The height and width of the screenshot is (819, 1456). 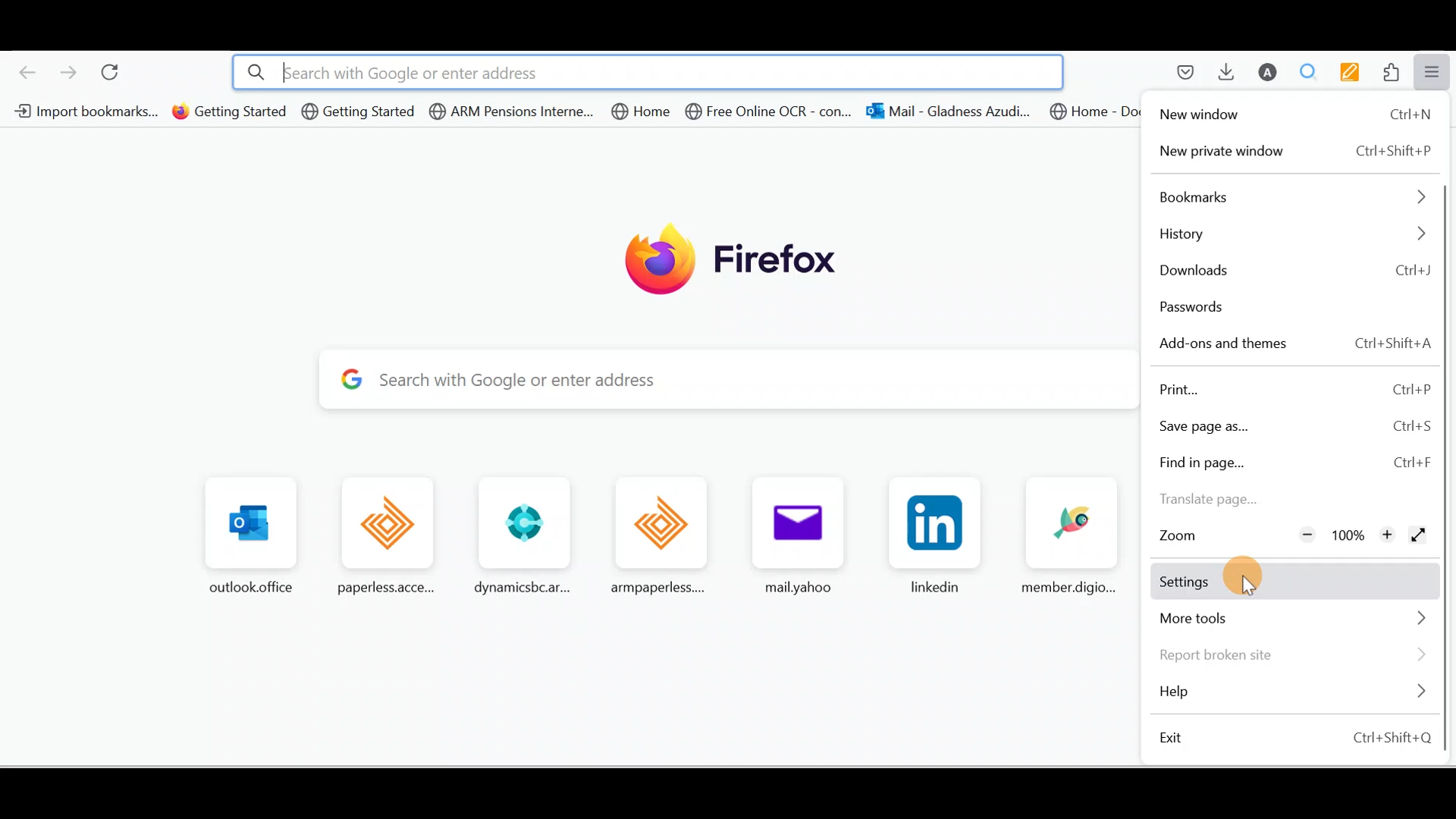 What do you see at coordinates (1293, 736) in the screenshot?
I see `Exit             Ctrl+Shift+O` at bounding box center [1293, 736].